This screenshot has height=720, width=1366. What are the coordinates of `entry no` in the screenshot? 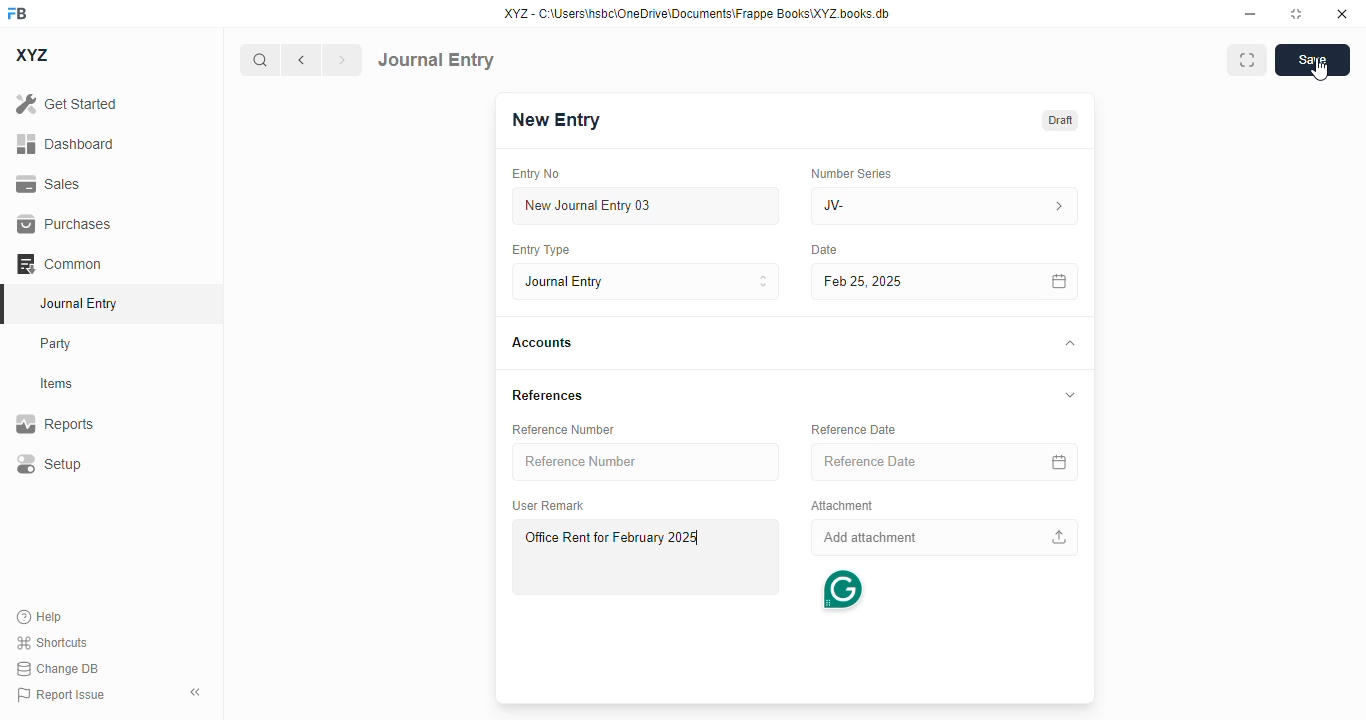 It's located at (536, 174).